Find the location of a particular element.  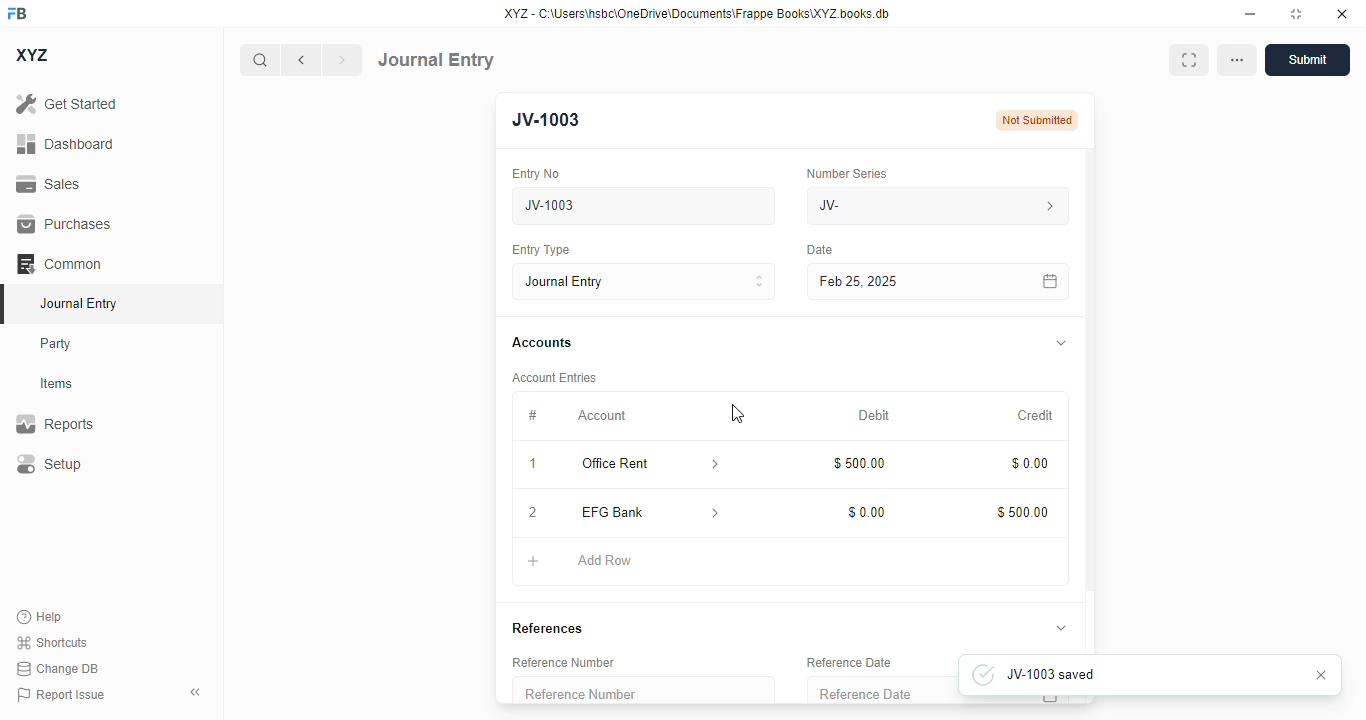

new journal entry 03 is located at coordinates (642, 206).